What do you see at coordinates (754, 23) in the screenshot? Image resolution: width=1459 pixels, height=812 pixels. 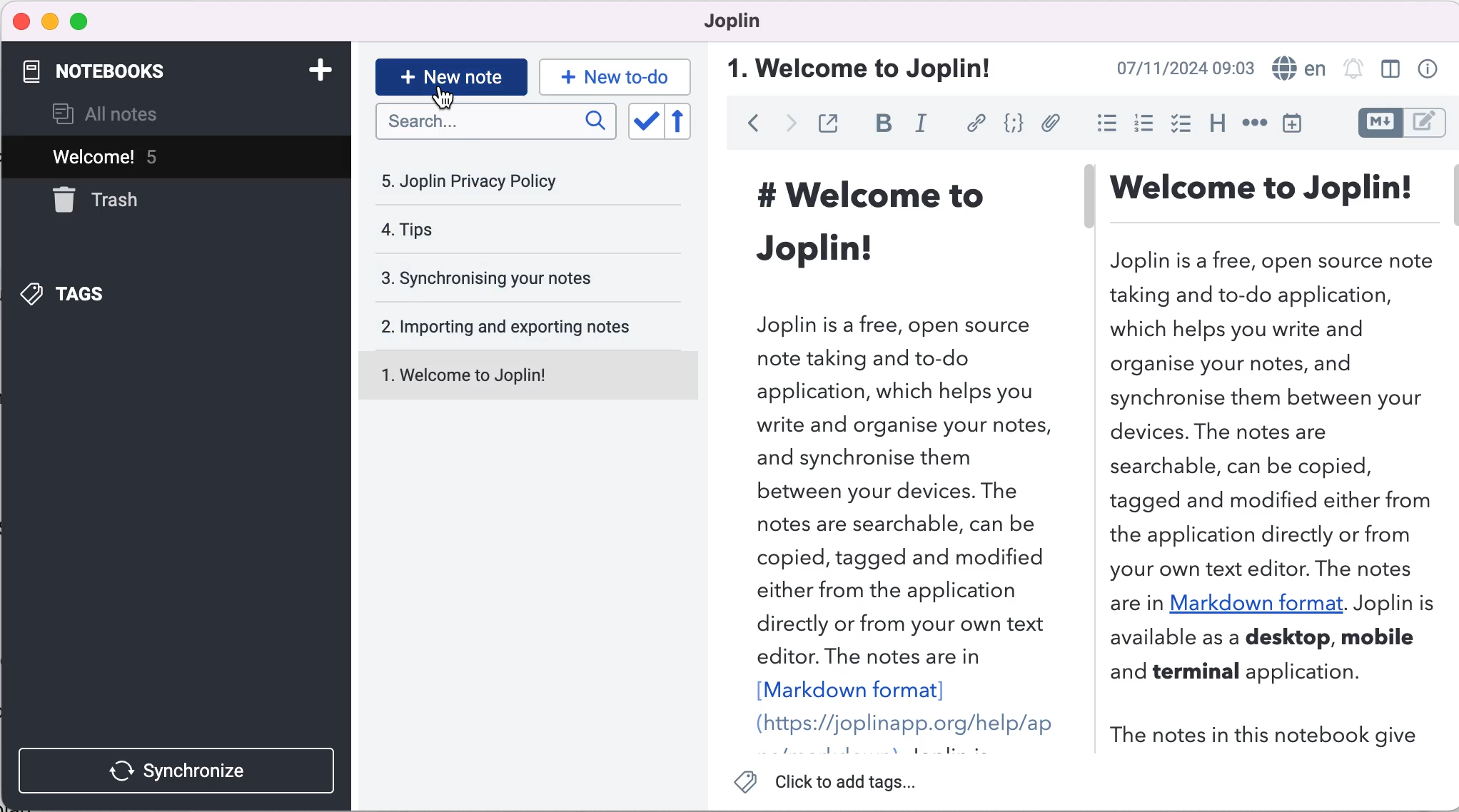 I see `joplin` at bounding box center [754, 23].